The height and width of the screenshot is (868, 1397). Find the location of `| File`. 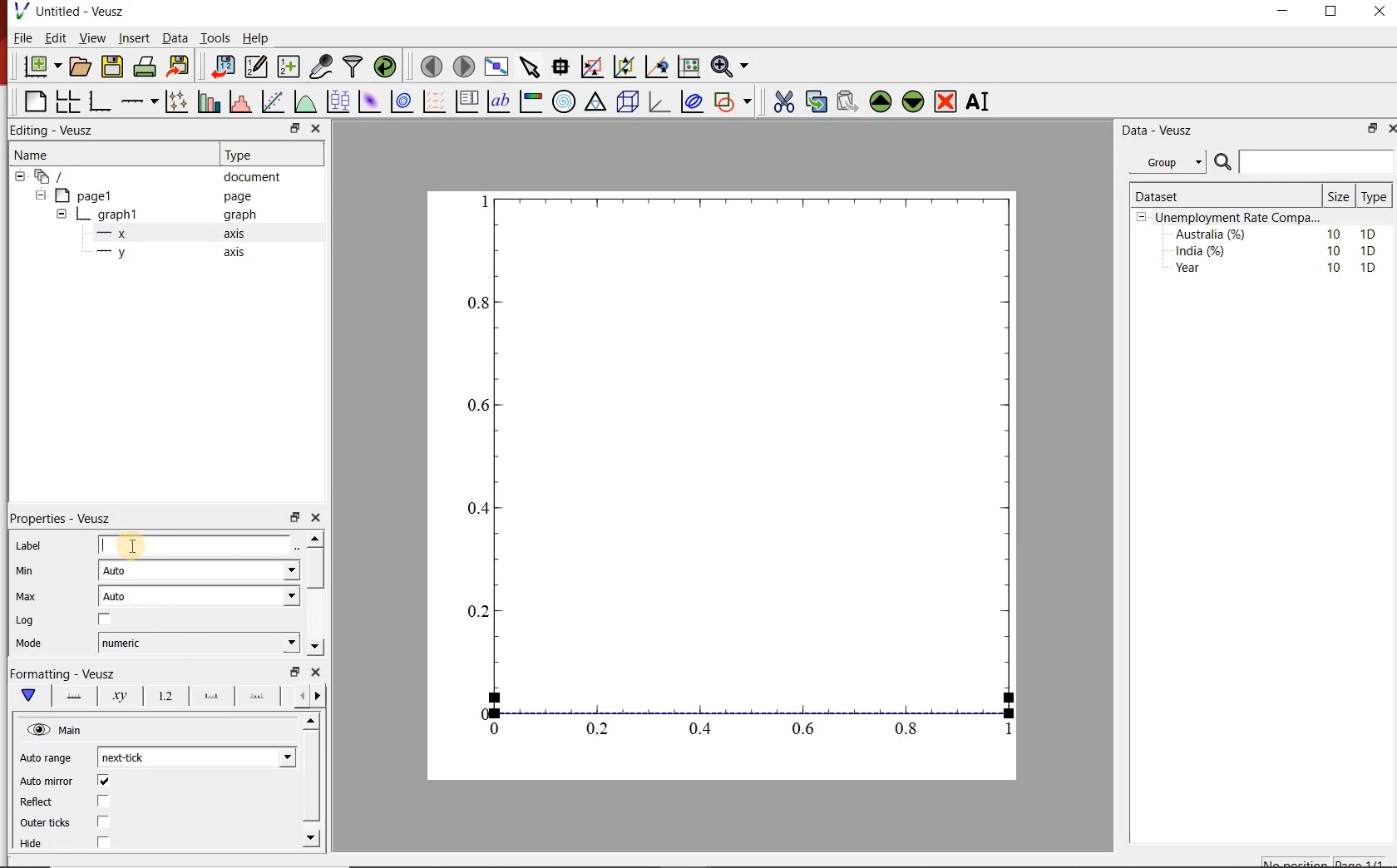

| File is located at coordinates (19, 37).